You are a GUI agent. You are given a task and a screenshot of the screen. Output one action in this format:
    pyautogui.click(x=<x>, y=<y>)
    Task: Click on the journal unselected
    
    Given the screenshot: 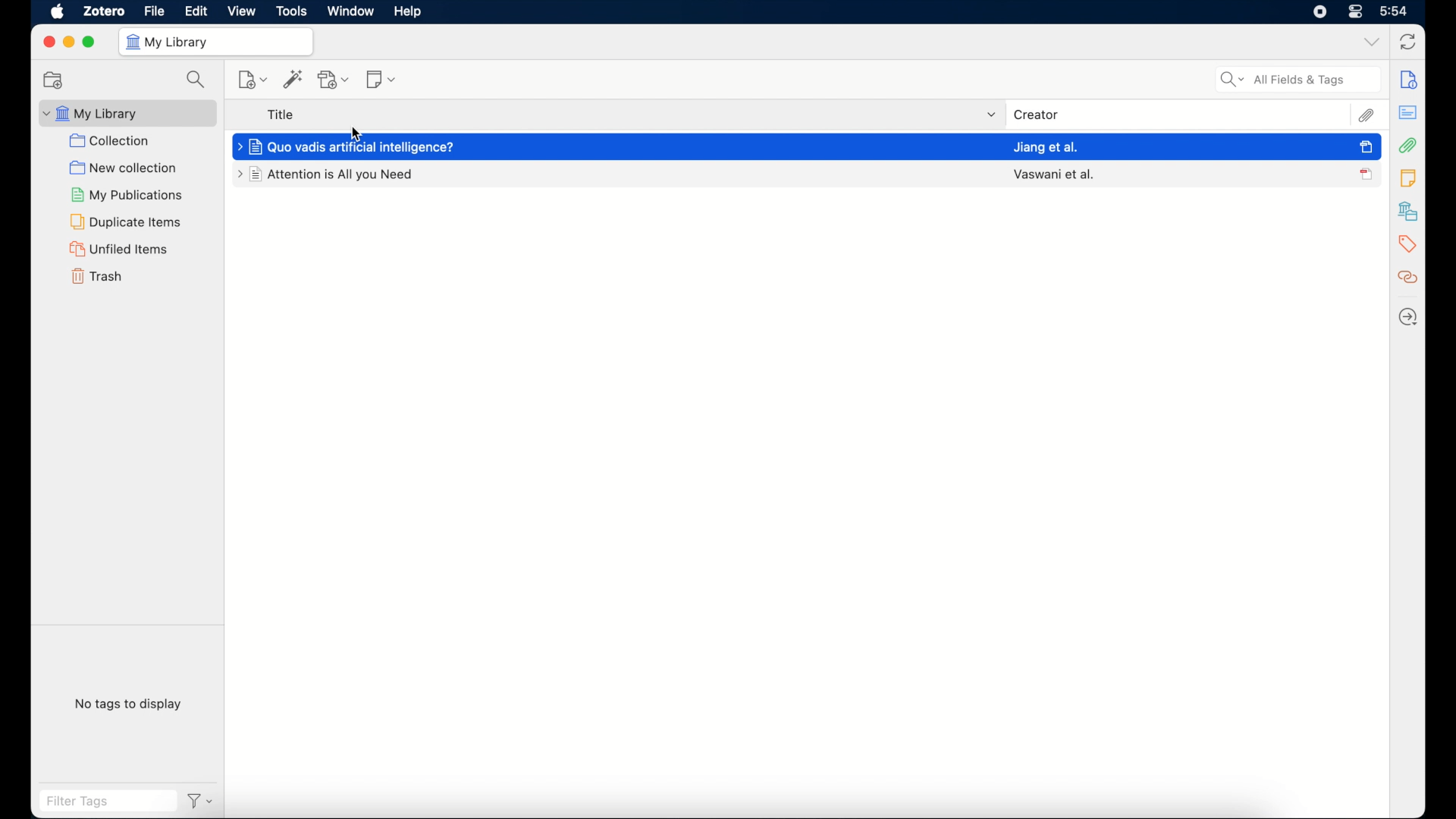 What is the action you would take?
    pyautogui.click(x=1366, y=174)
    